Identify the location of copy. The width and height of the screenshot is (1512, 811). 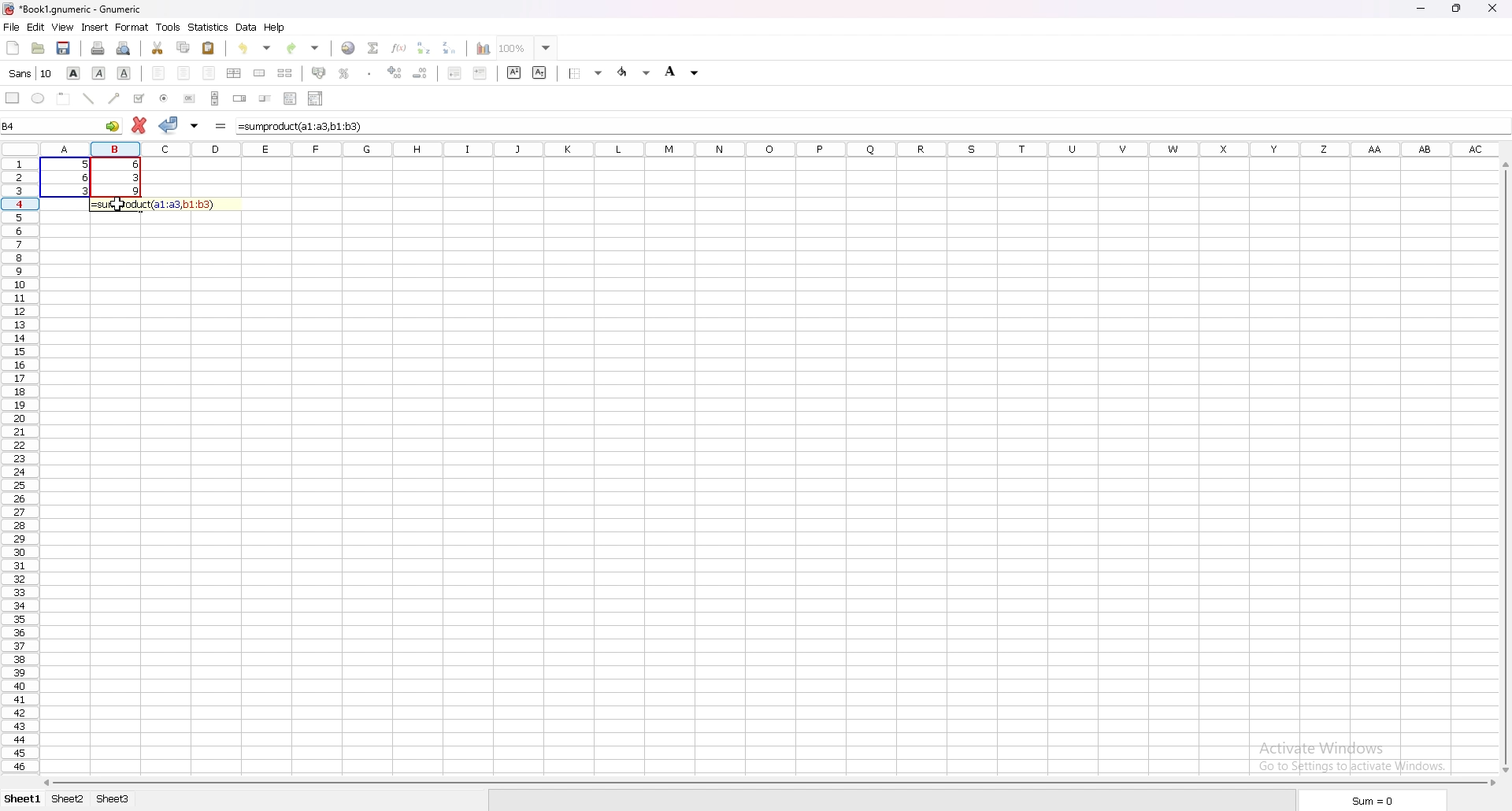
(183, 49).